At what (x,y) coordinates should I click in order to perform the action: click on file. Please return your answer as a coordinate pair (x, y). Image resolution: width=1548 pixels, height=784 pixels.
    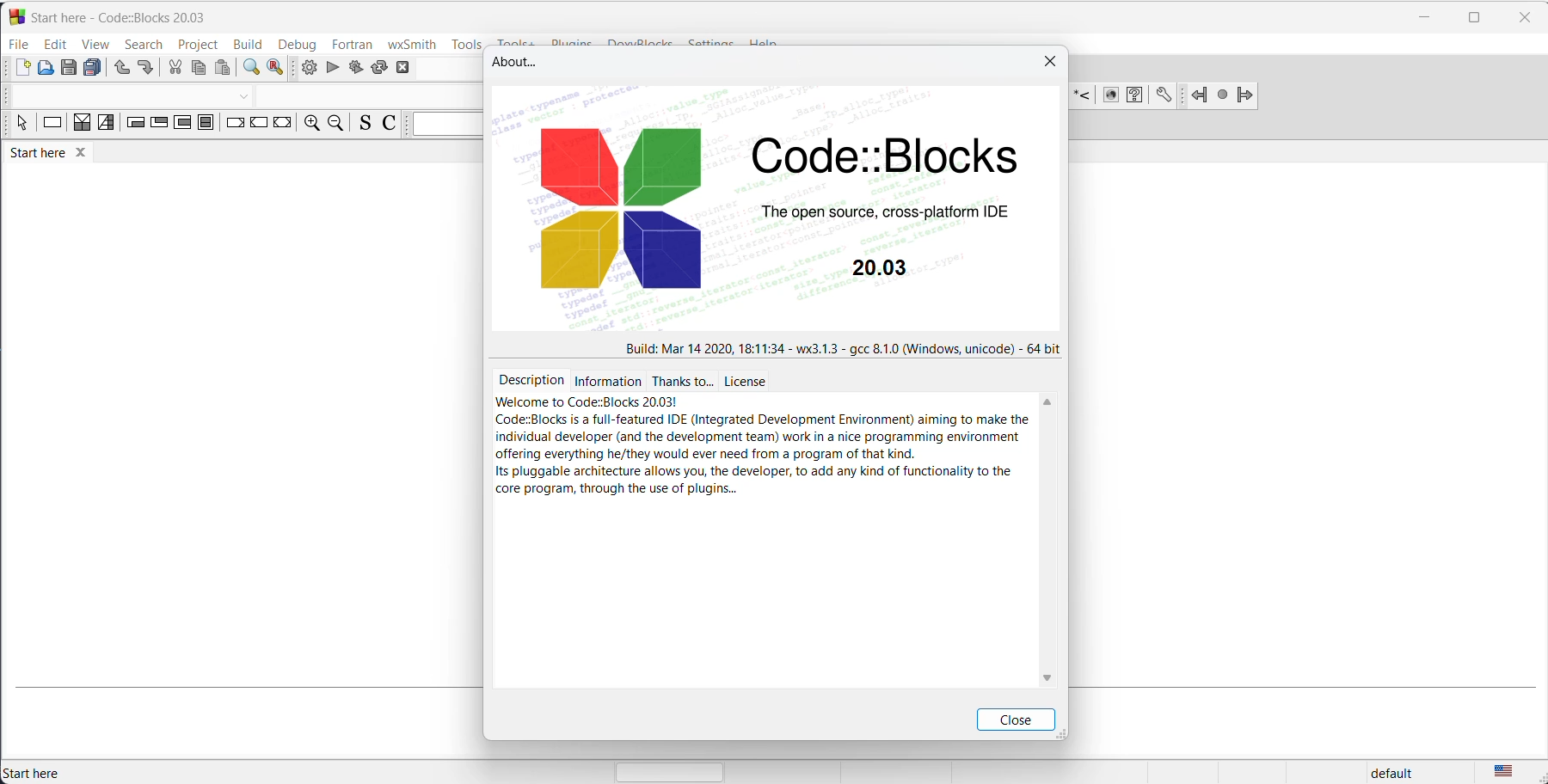
    Looking at the image, I should click on (18, 44).